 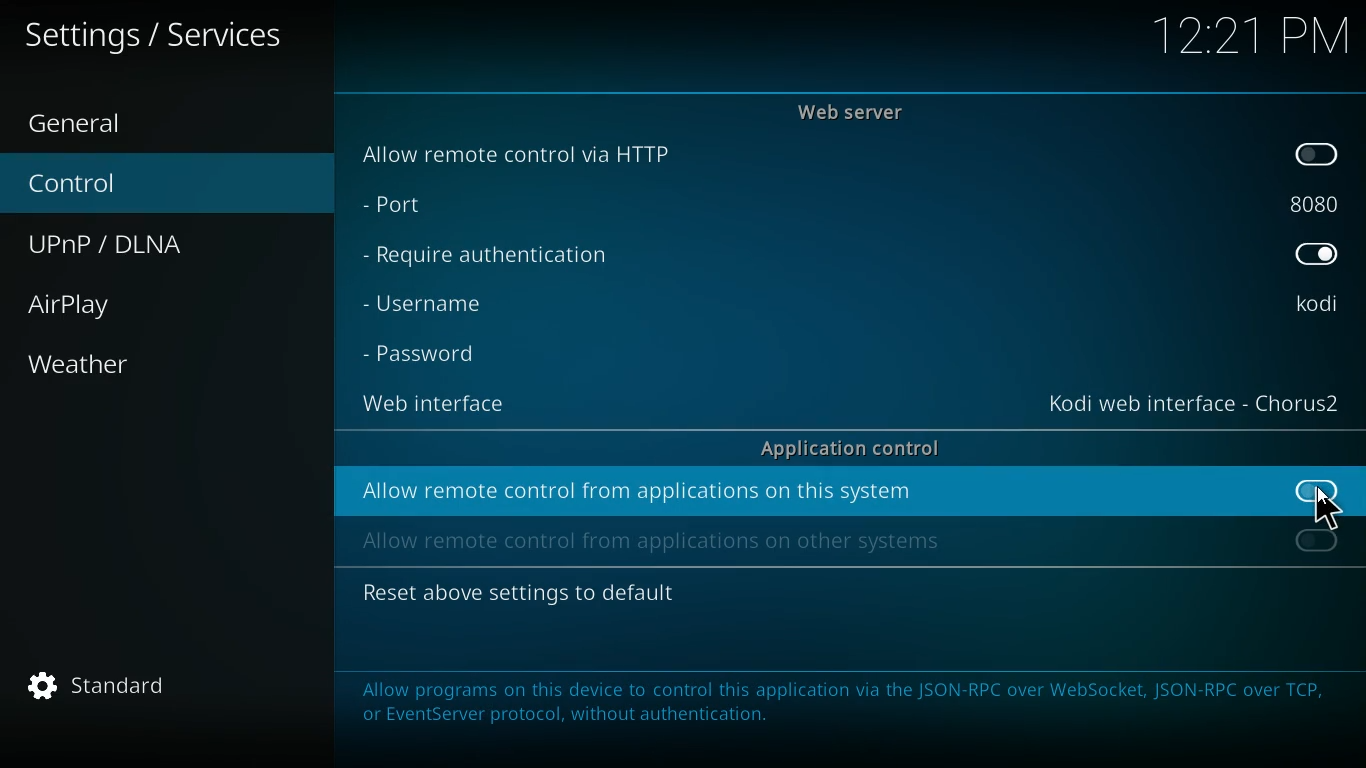 I want to click on web interface, so click(x=1192, y=402).